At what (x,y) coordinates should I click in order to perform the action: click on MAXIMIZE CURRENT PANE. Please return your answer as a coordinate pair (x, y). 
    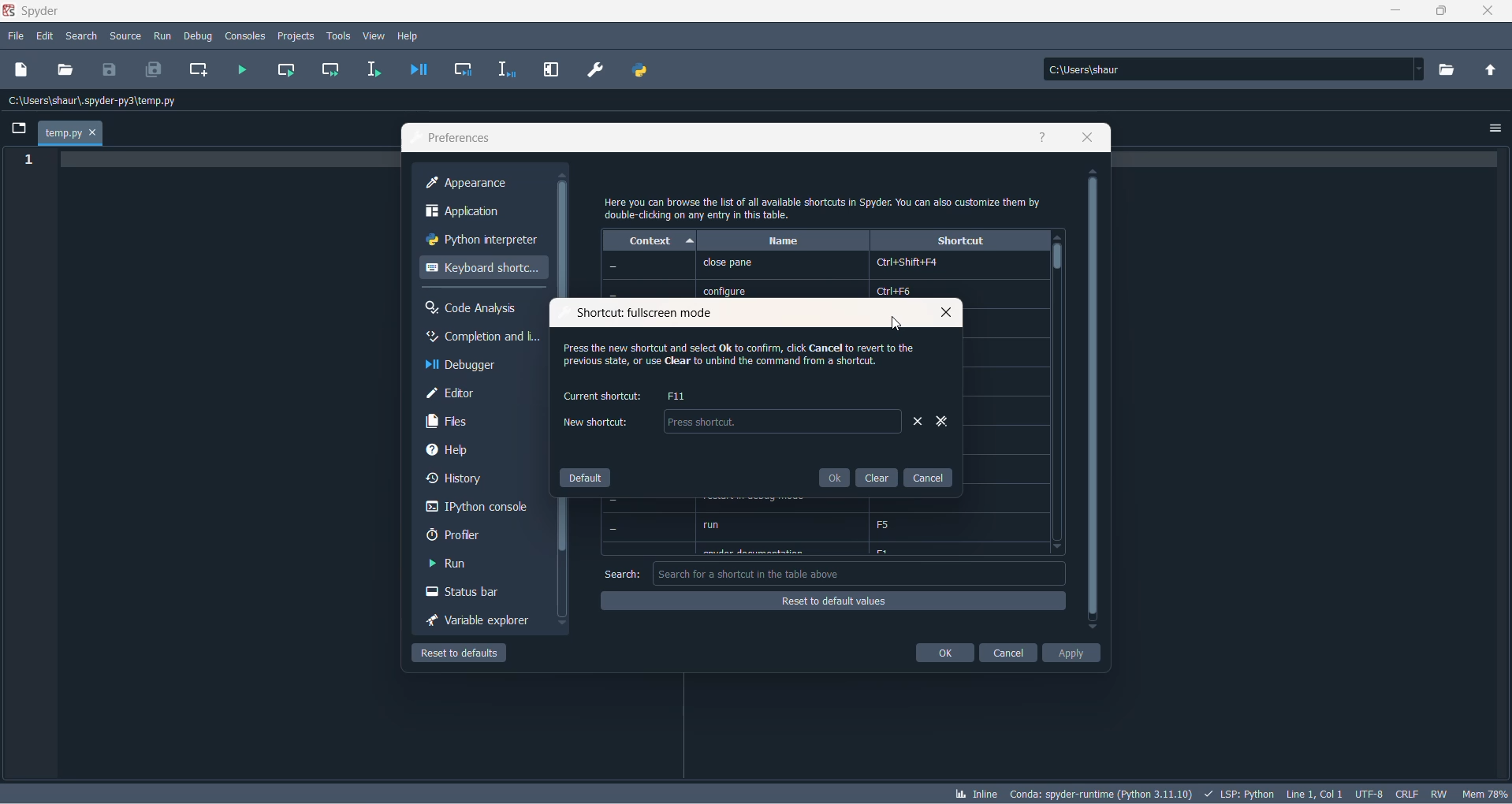
    Looking at the image, I should click on (549, 71).